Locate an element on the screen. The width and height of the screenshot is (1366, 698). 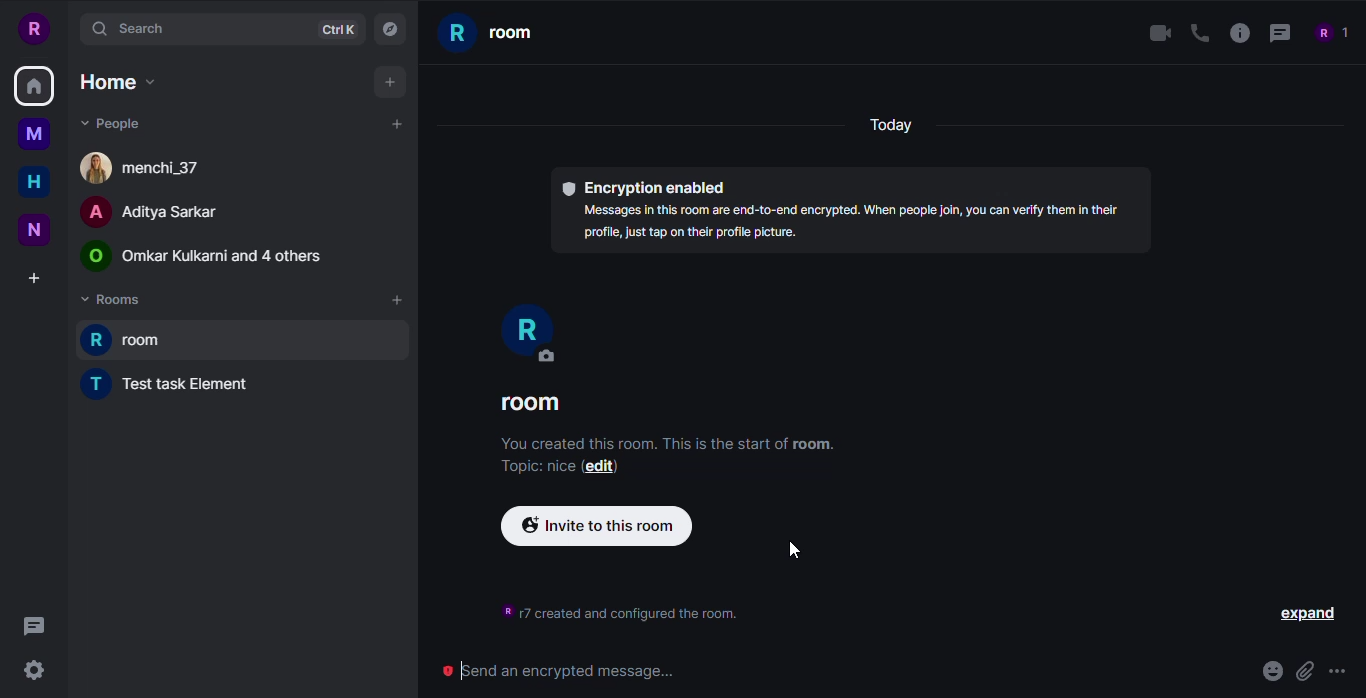
people is located at coordinates (146, 213).